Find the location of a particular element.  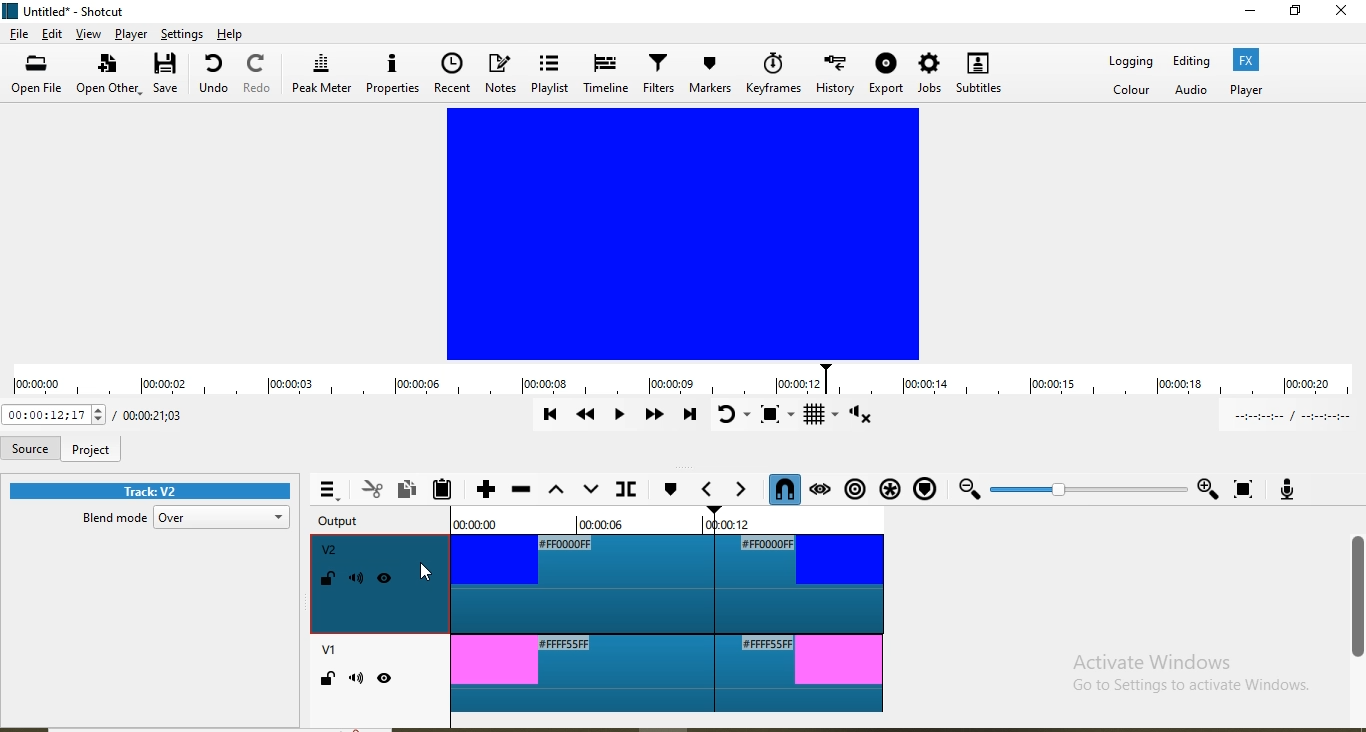

Paste  is located at coordinates (443, 488).